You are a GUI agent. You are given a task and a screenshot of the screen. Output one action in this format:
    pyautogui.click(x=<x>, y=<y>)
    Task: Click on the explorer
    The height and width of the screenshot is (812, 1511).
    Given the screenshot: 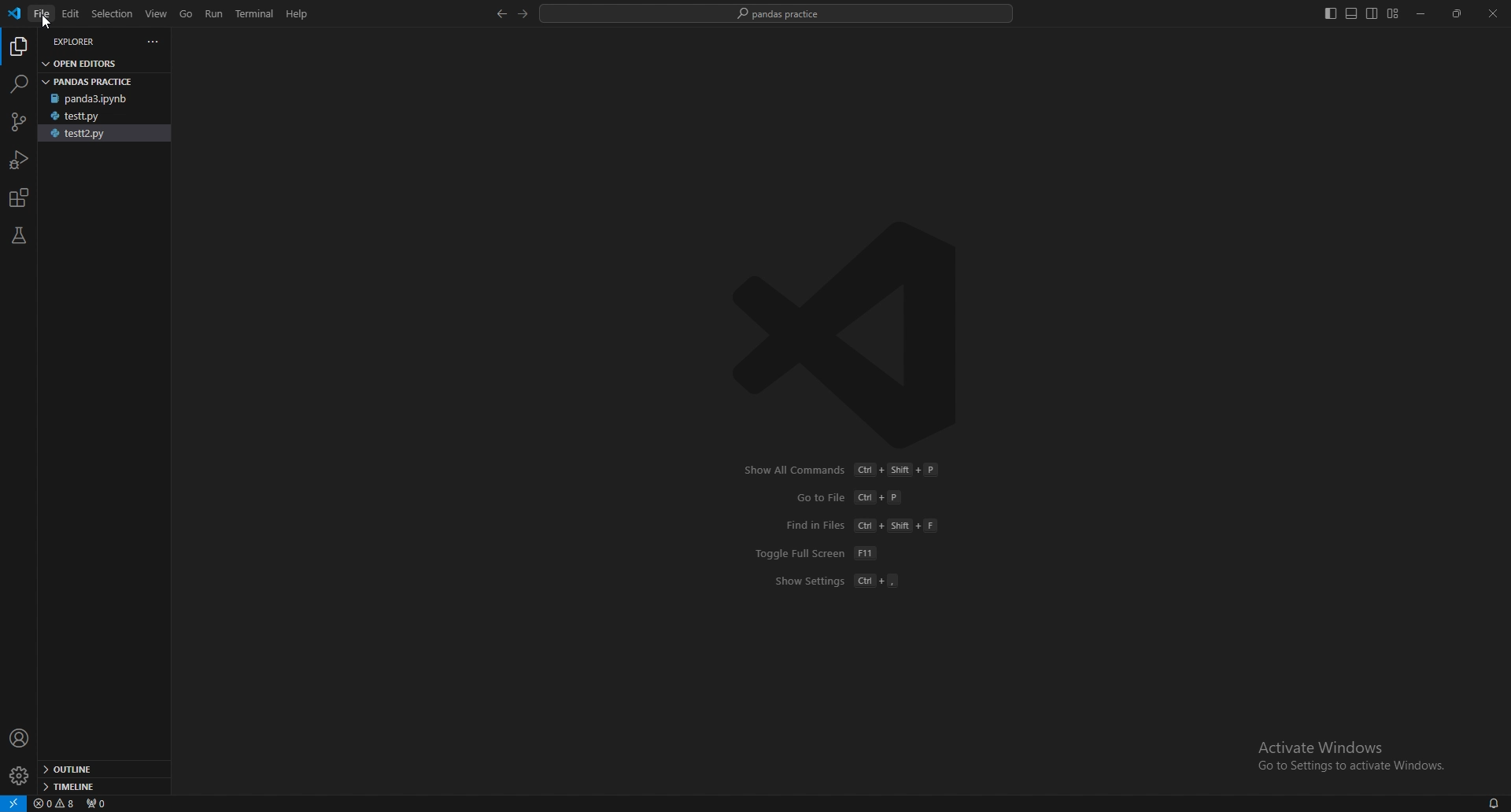 What is the action you would take?
    pyautogui.click(x=91, y=40)
    